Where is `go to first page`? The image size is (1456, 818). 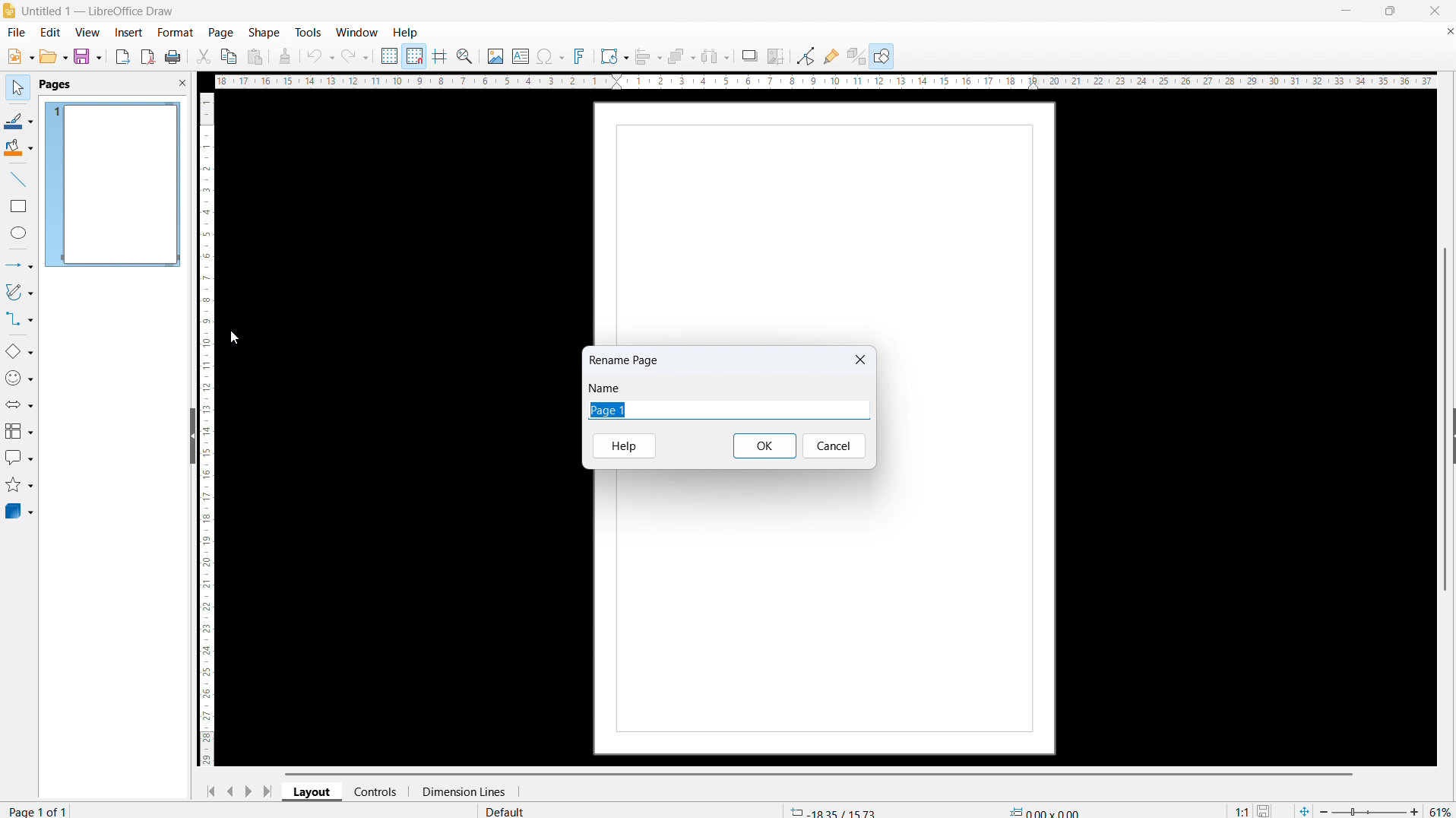 go to first page is located at coordinates (209, 791).